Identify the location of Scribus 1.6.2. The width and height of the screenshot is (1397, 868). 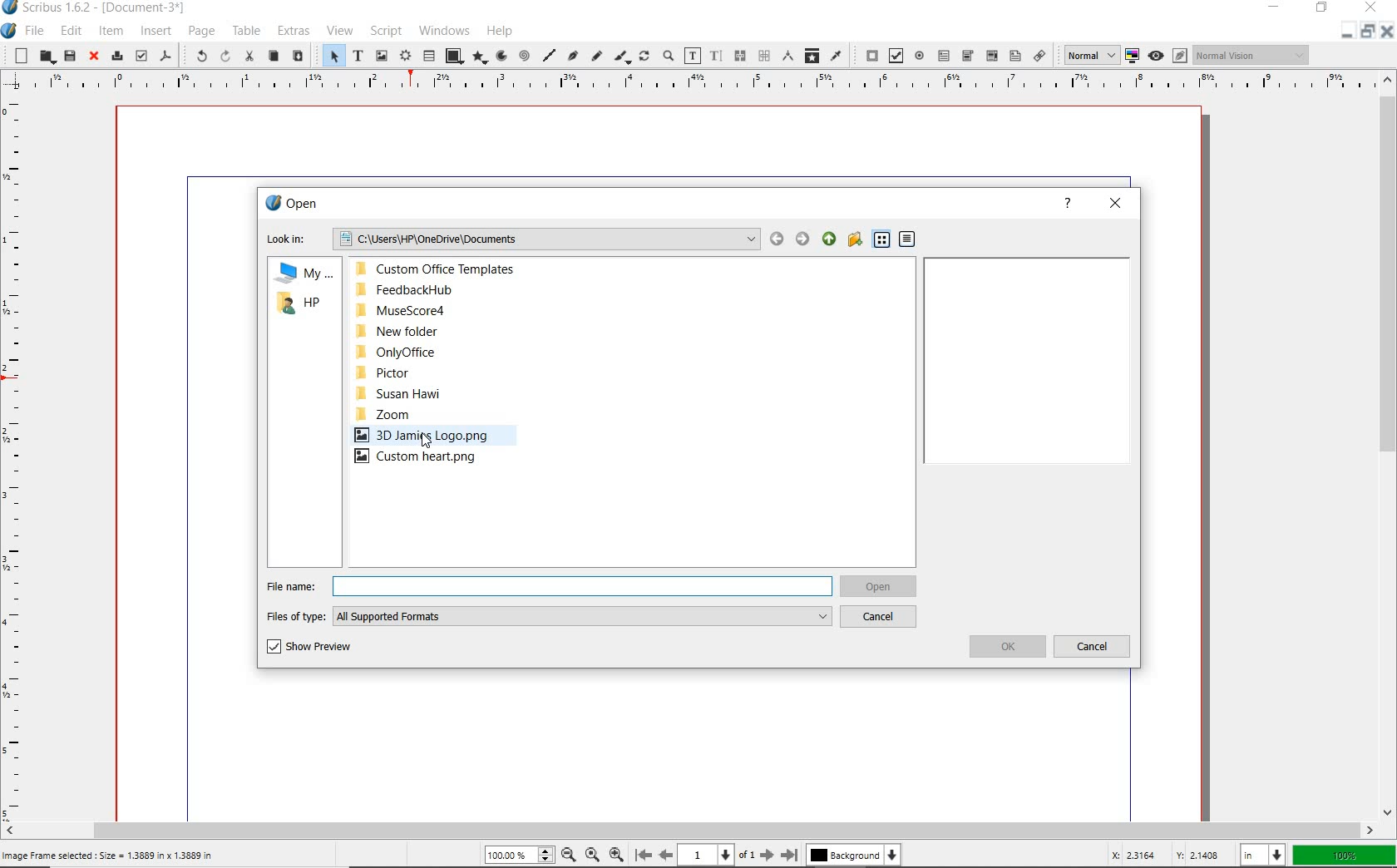
(97, 8).